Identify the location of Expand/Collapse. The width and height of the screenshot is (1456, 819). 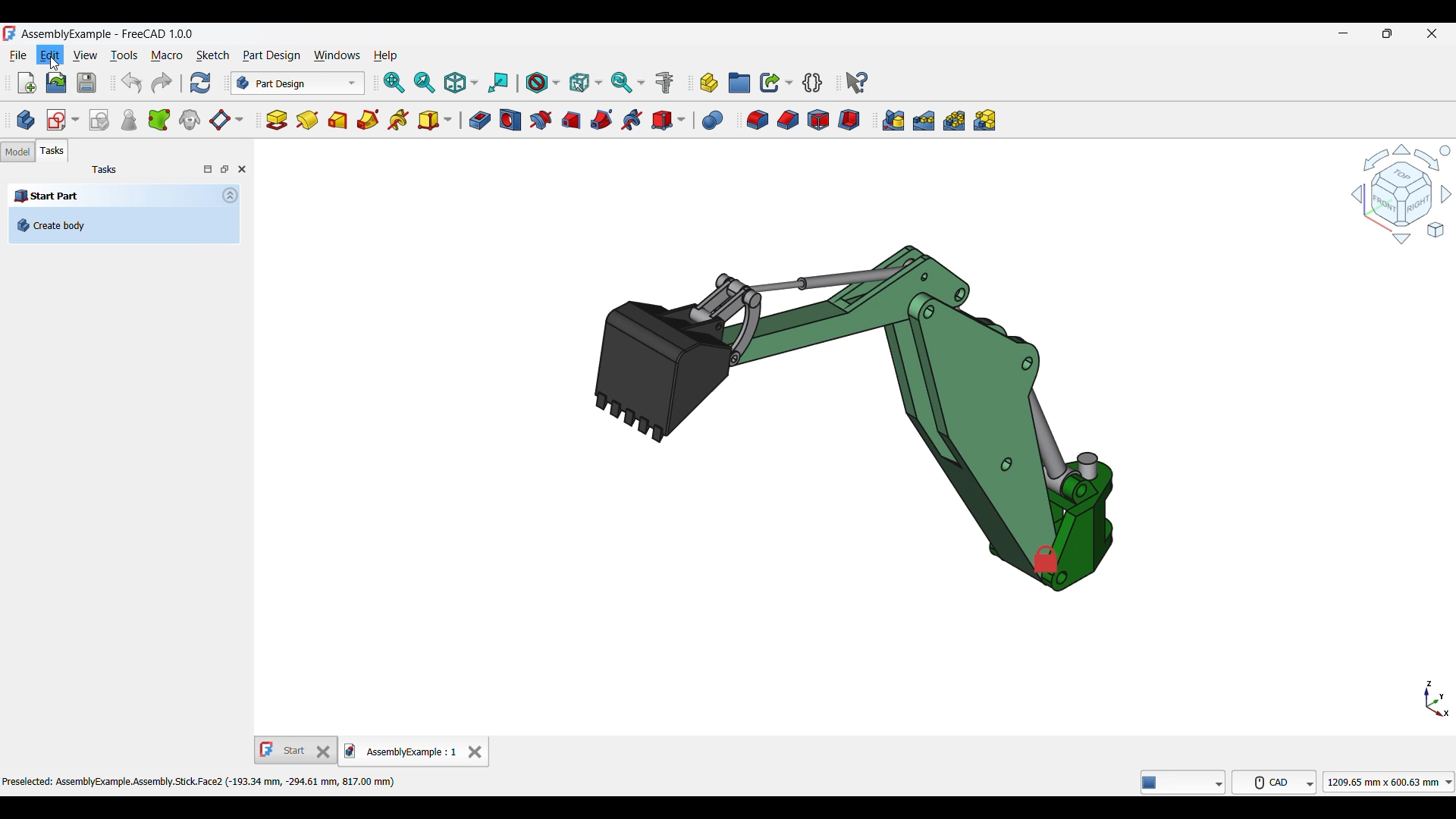
(230, 196).